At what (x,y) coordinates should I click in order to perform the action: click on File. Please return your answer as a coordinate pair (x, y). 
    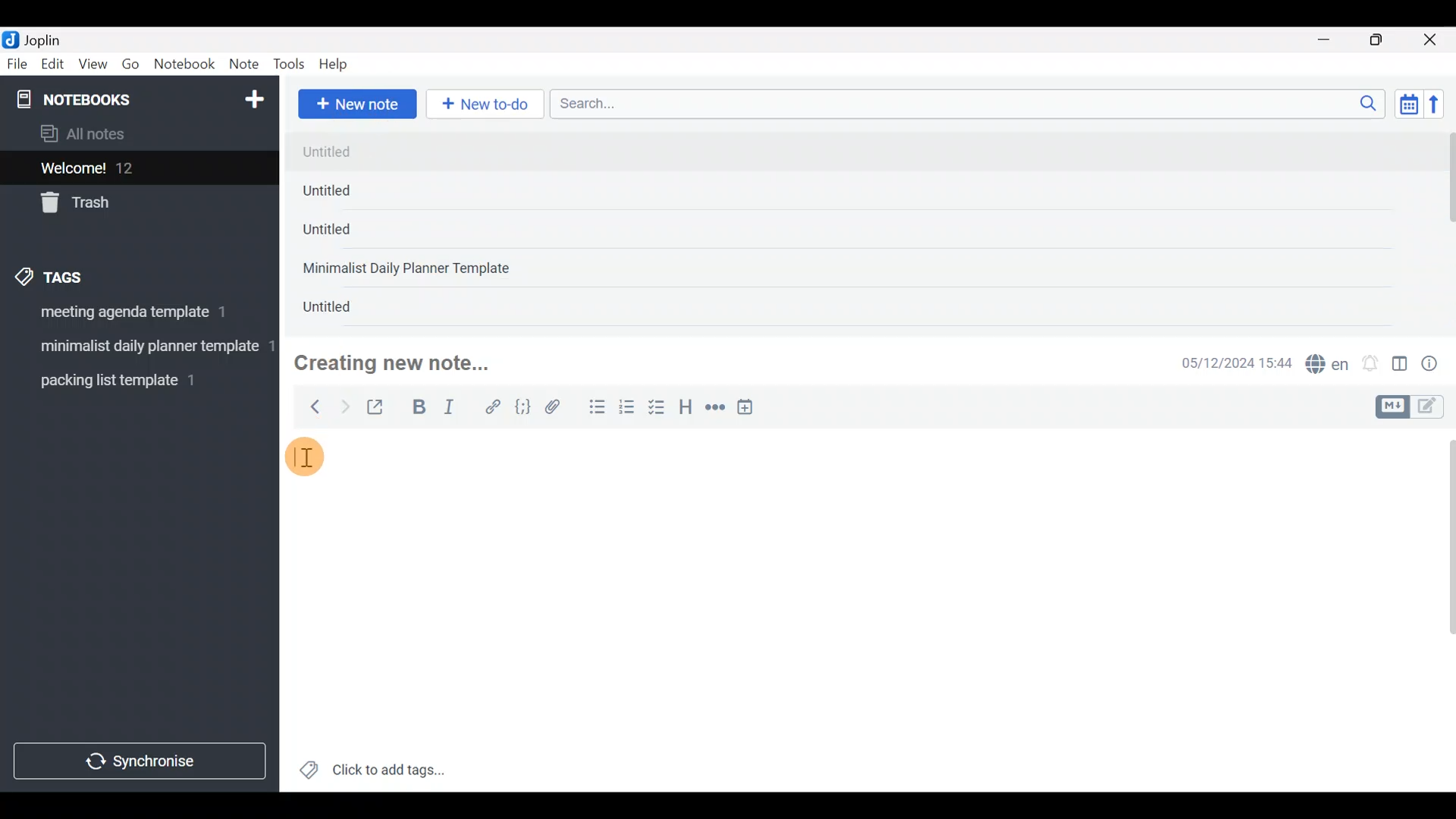
    Looking at the image, I should click on (18, 64).